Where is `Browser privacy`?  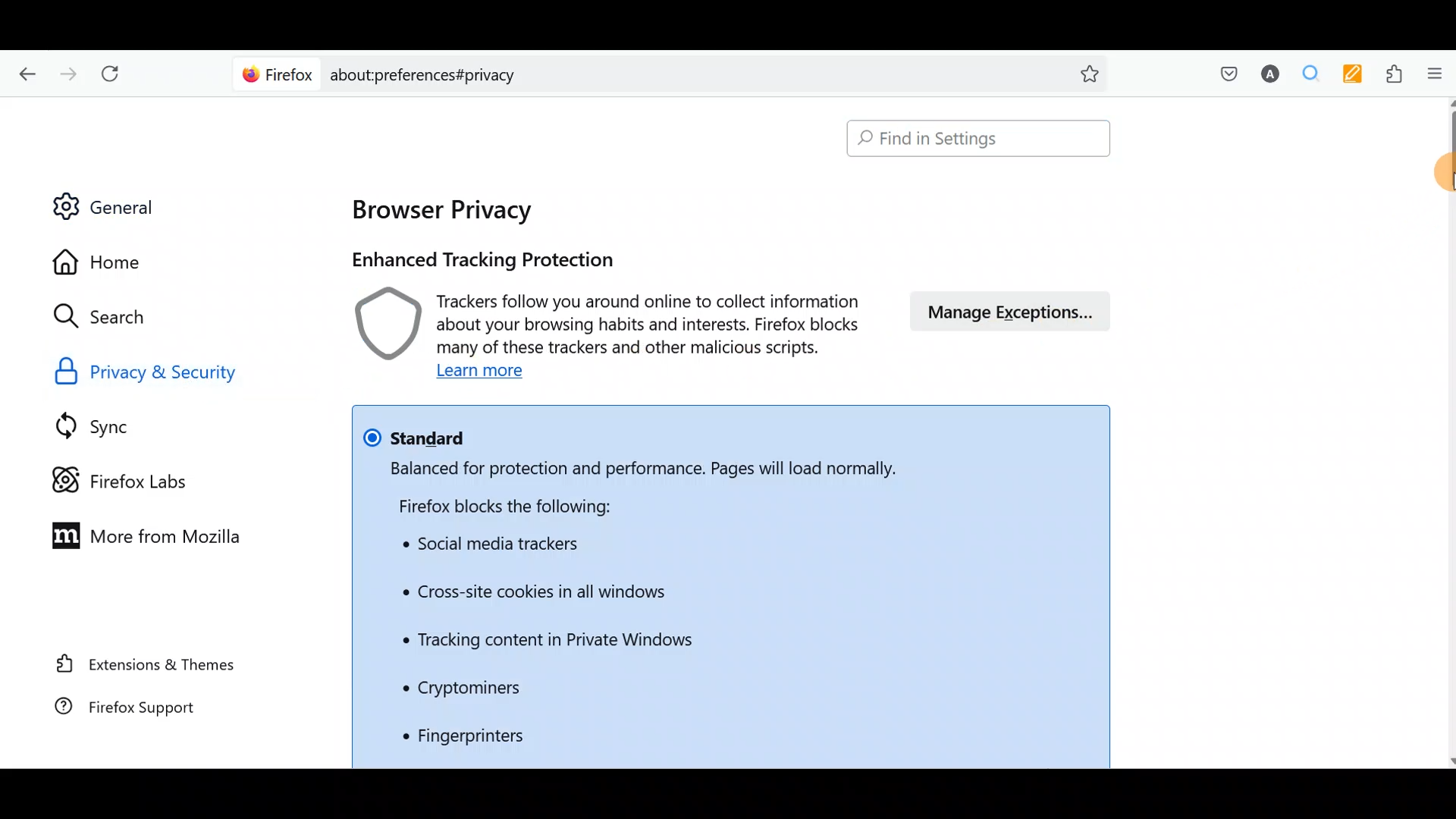 Browser privacy is located at coordinates (457, 212).